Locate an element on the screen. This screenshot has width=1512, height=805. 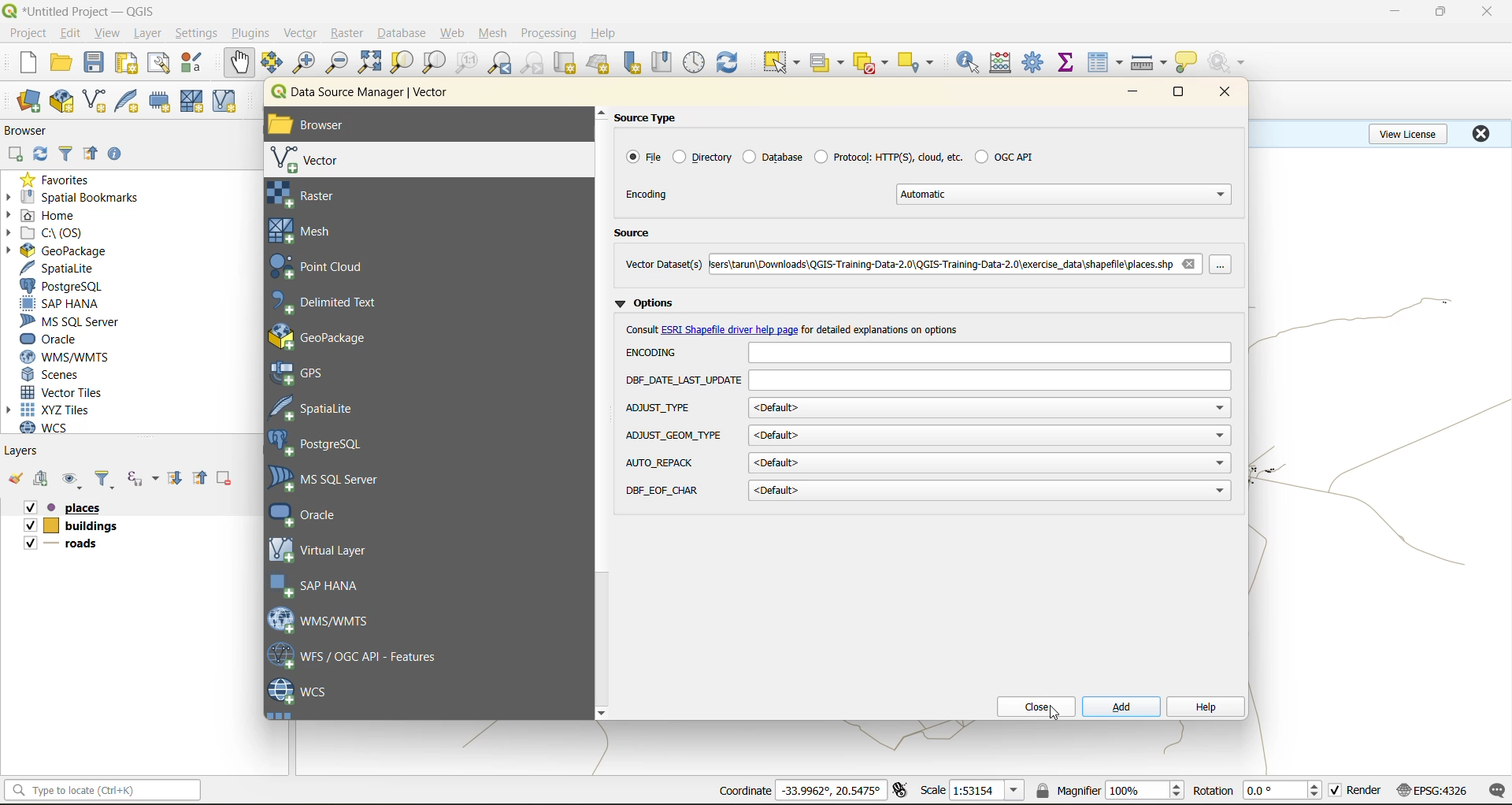
plugins is located at coordinates (254, 32).